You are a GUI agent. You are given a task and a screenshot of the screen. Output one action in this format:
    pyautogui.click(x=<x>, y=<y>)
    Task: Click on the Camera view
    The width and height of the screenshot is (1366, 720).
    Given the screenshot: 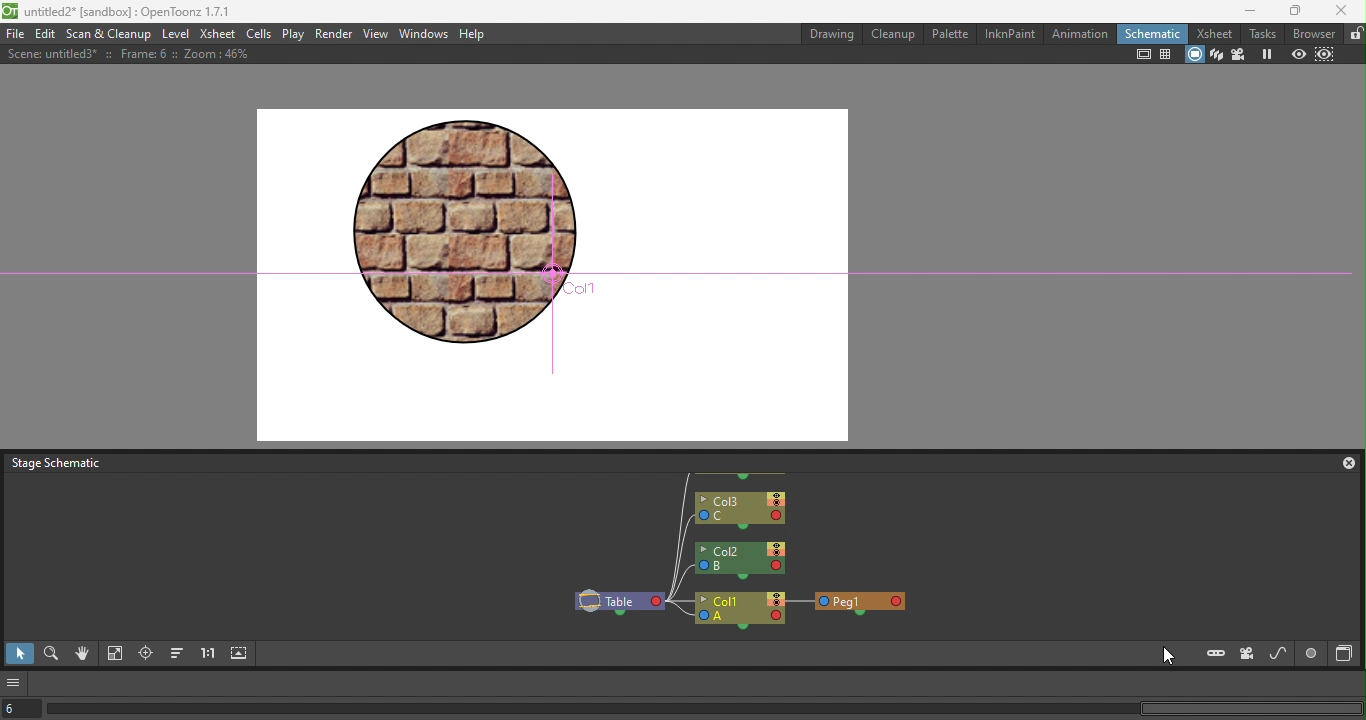 What is the action you would take?
    pyautogui.click(x=1240, y=55)
    